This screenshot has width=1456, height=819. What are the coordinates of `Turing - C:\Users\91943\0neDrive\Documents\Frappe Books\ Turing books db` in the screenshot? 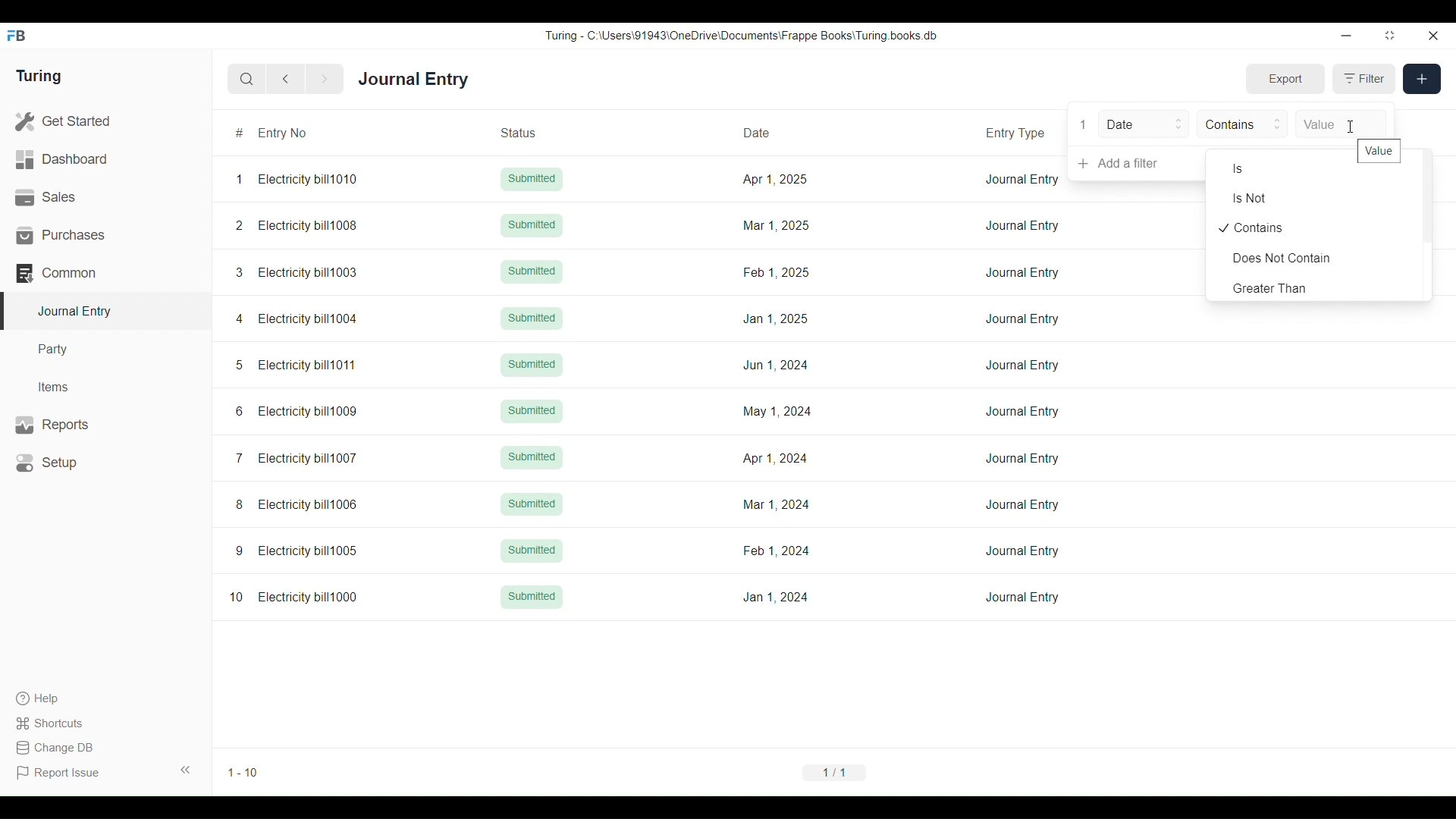 It's located at (740, 36).